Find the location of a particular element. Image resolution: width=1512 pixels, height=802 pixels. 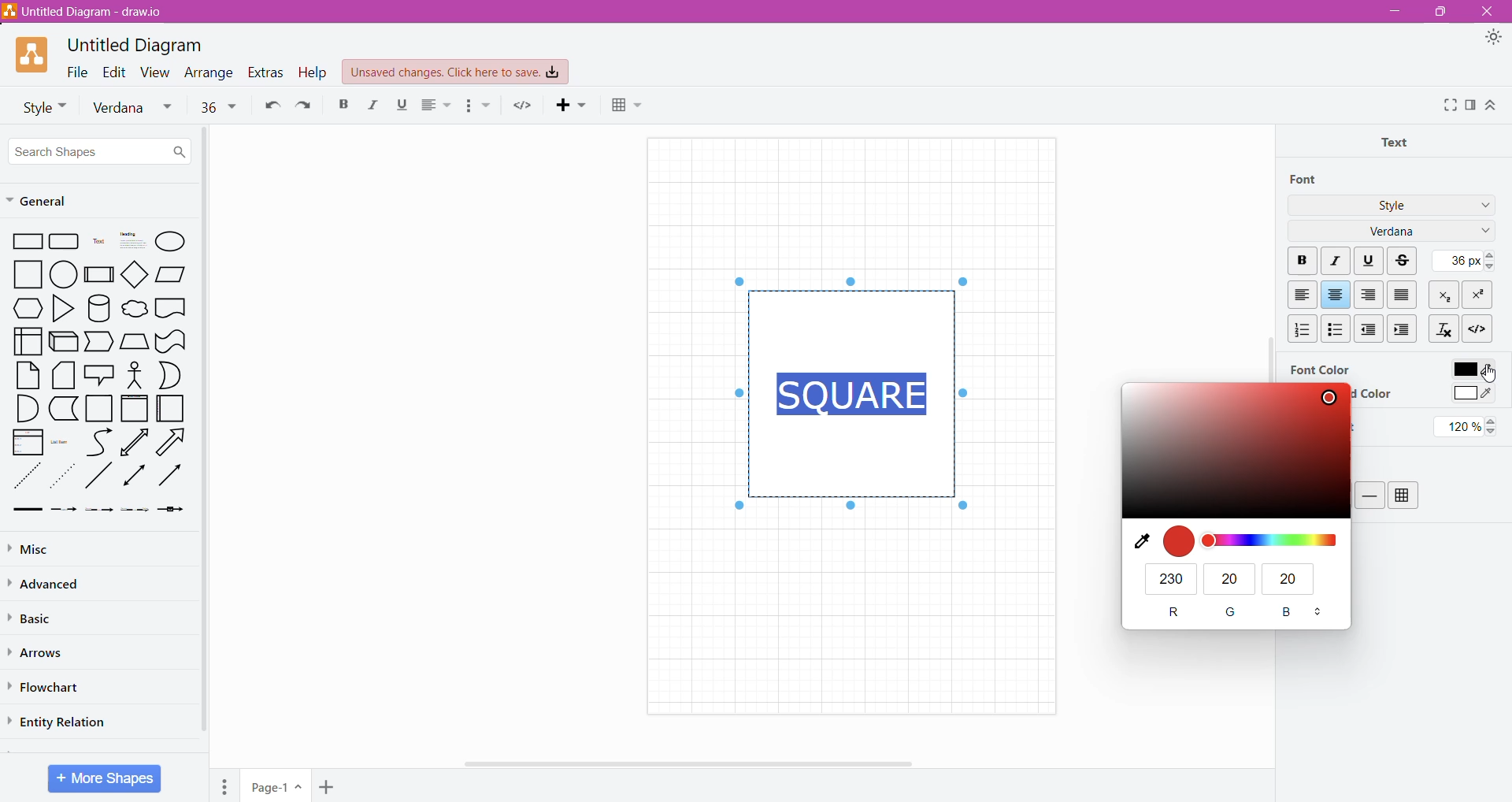

Font is located at coordinates (1305, 180).